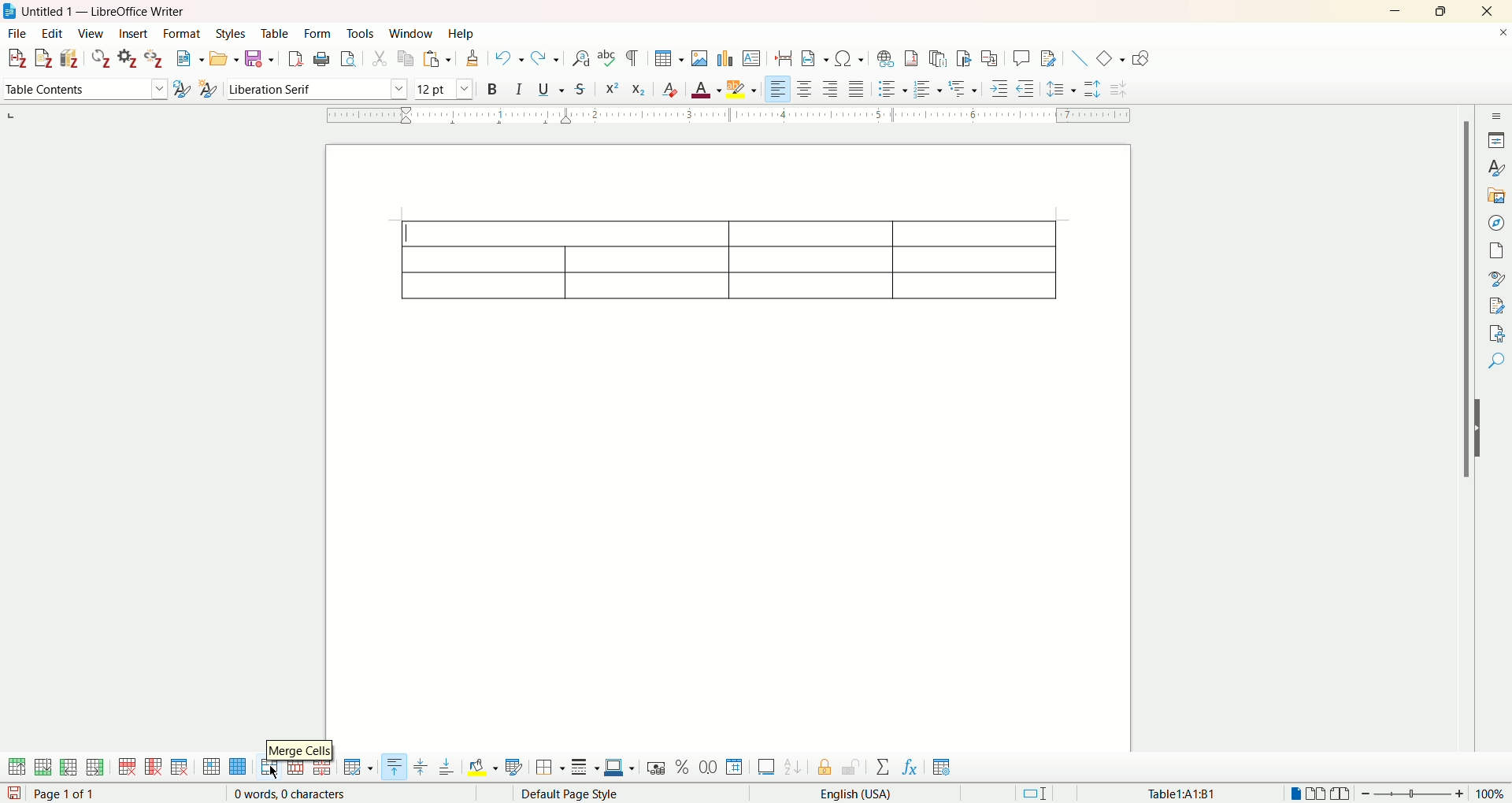  I want to click on insert column after, so click(94, 765).